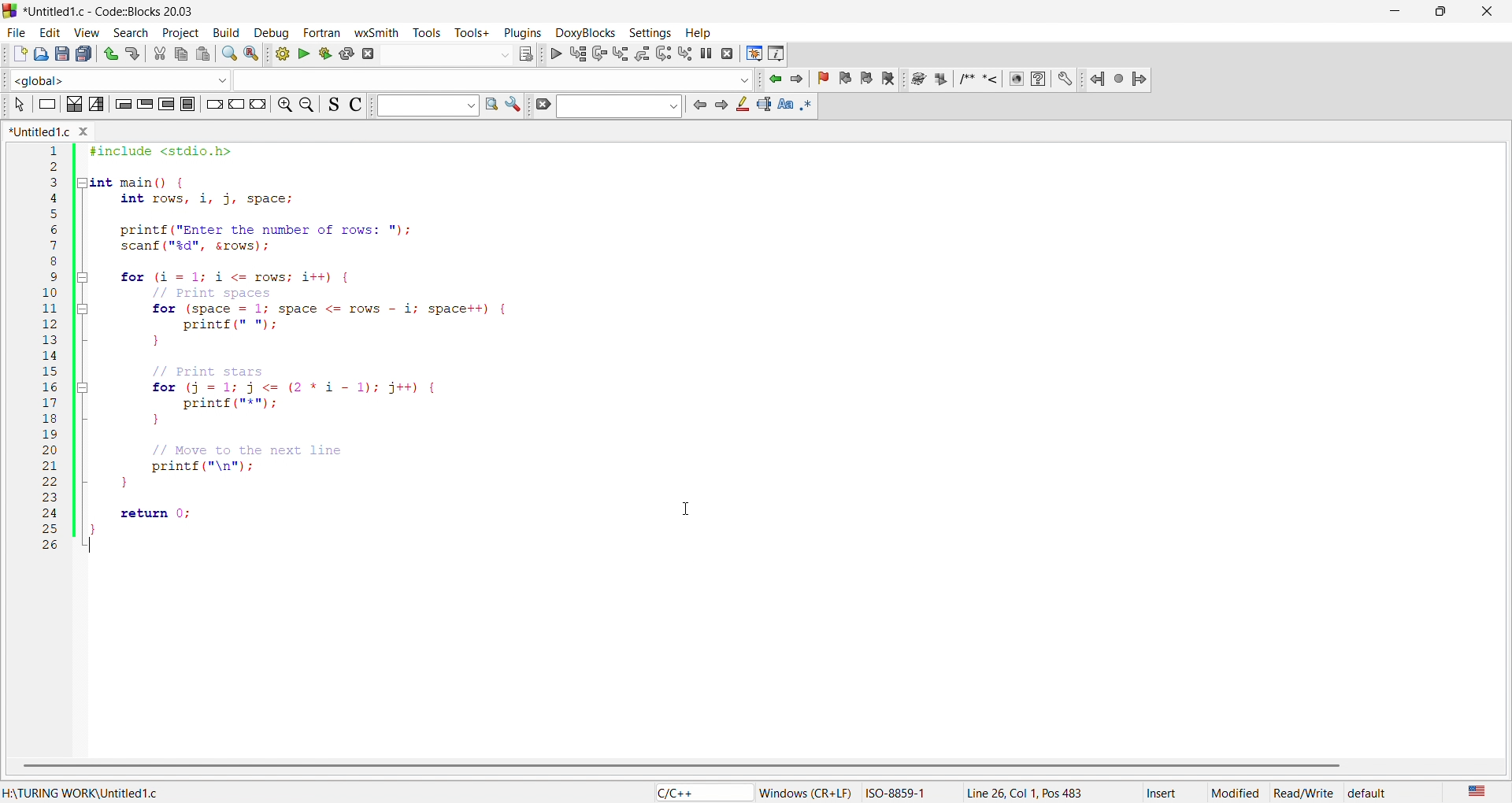  I want to click on build, so click(280, 54).